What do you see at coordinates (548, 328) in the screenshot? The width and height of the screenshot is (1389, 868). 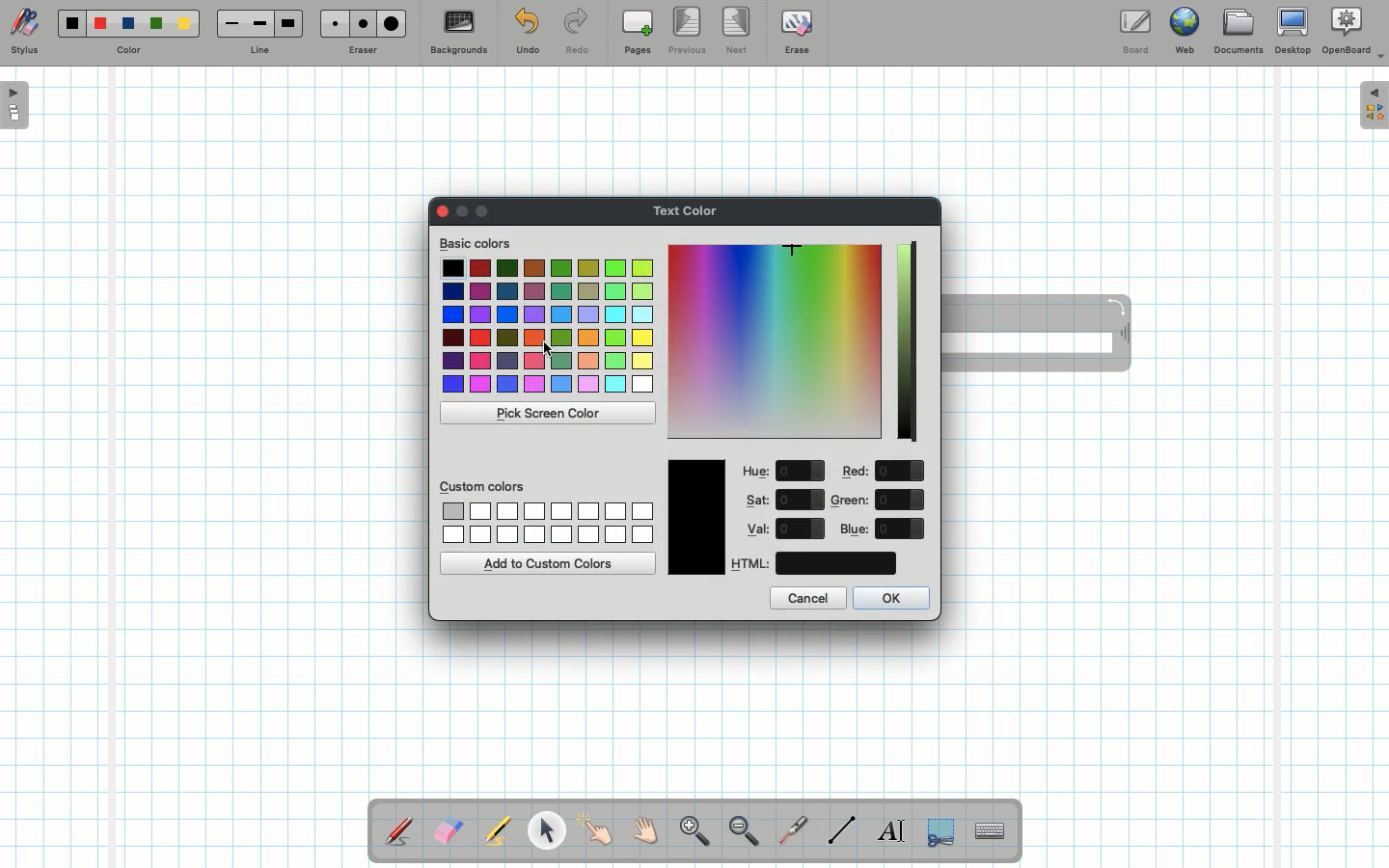 I see `Colors` at bounding box center [548, 328].